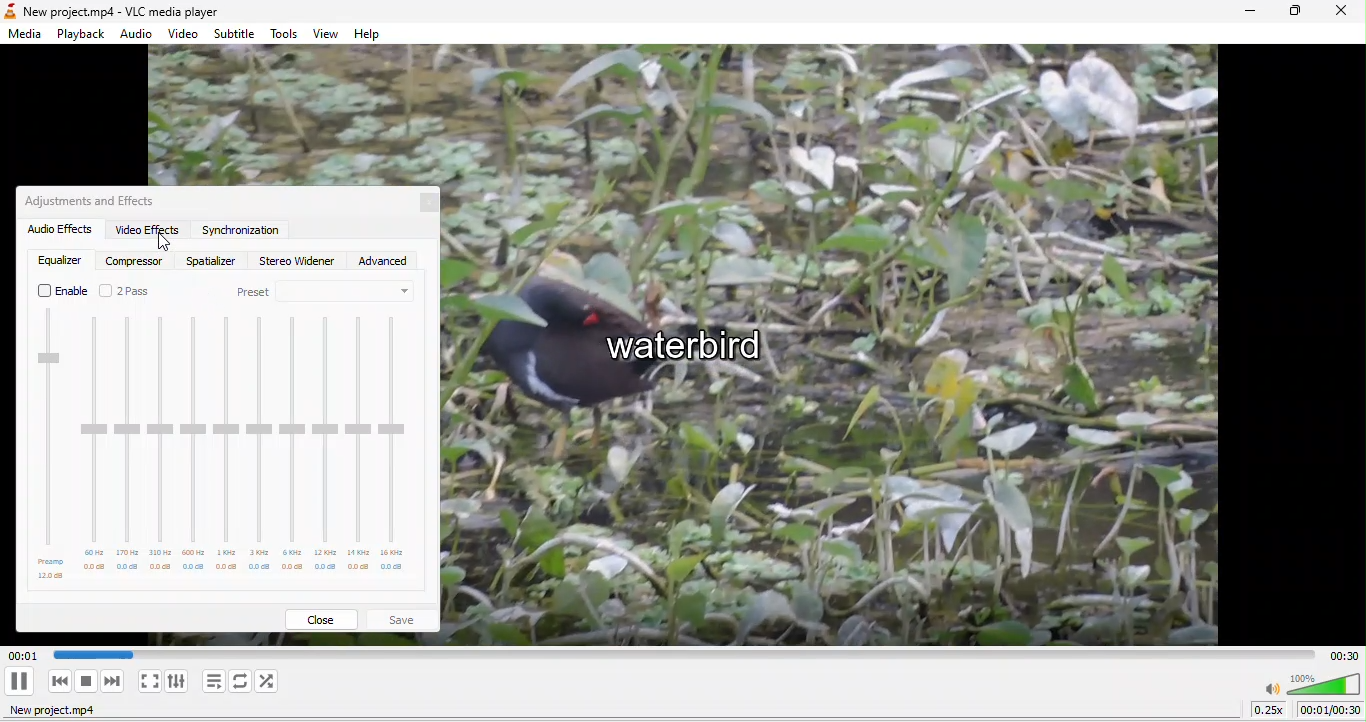 Image resolution: width=1366 pixels, height=722 pixels. I want to click on 310hz volume bar, so click(160, 444).